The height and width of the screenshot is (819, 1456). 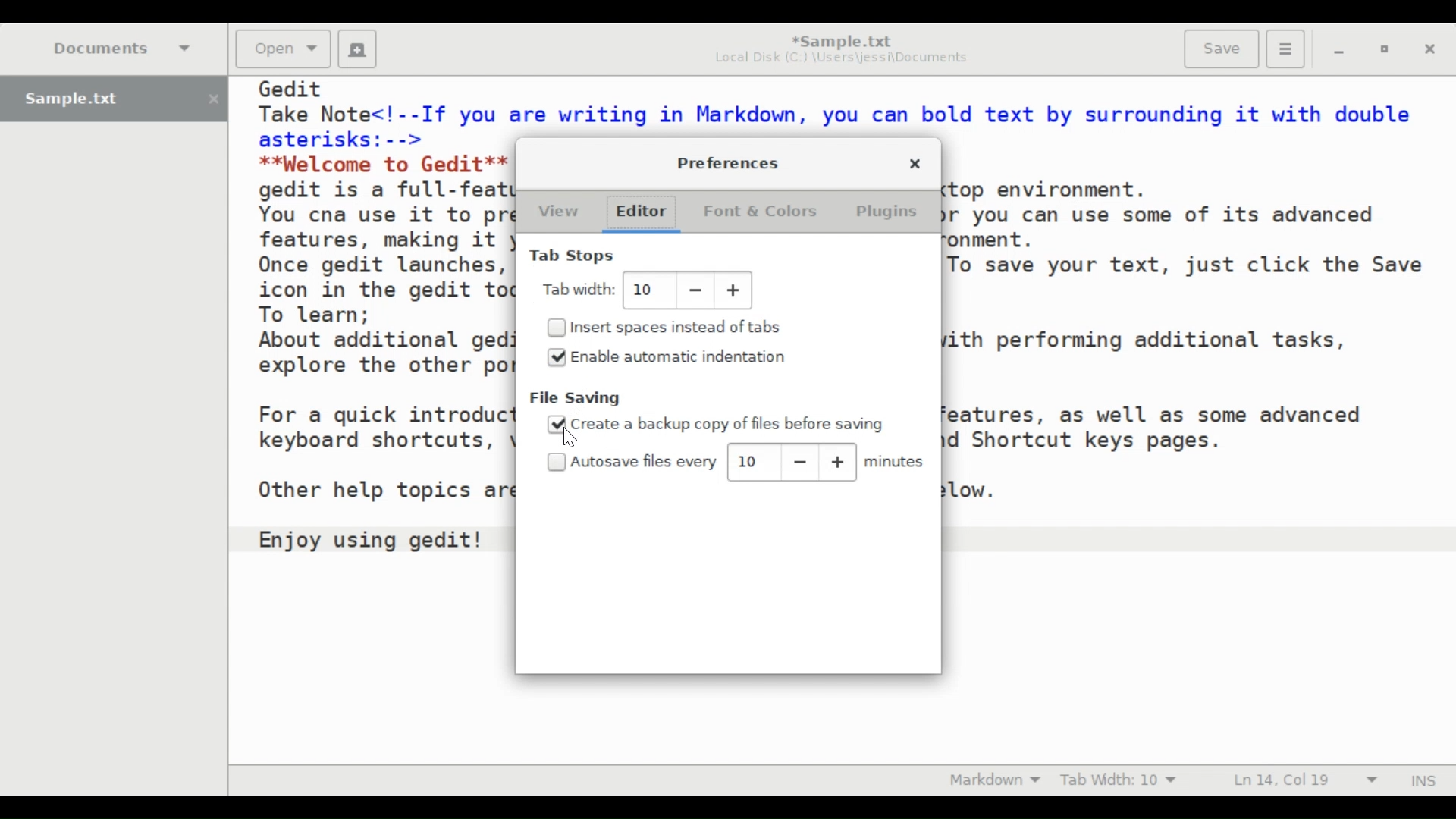 What do you see at coordinates (647, 290) in the screenshot?
I see `tab width: 10` at bounding box center [647, 290].